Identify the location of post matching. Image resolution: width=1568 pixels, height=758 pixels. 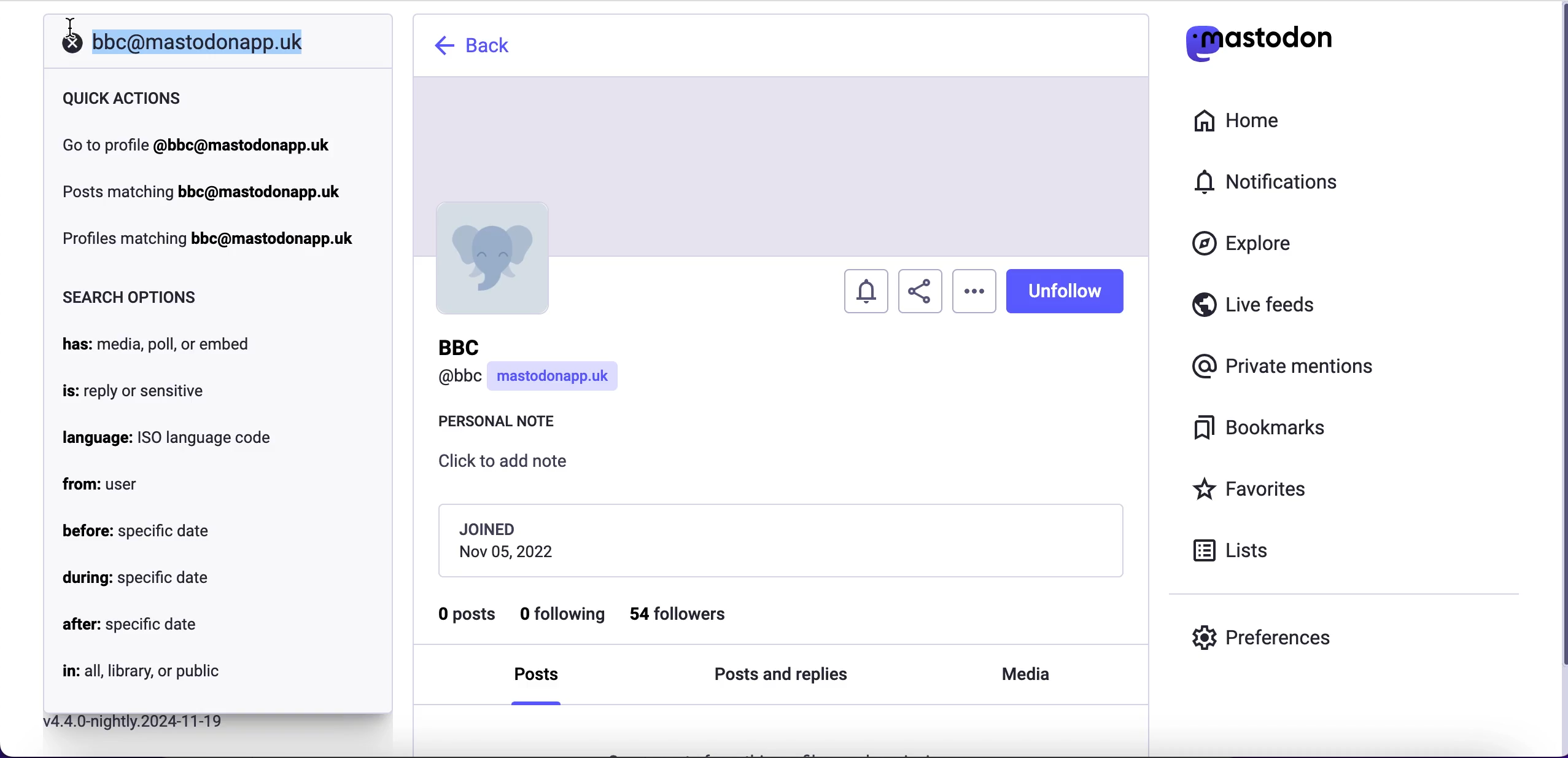
(201, 190).